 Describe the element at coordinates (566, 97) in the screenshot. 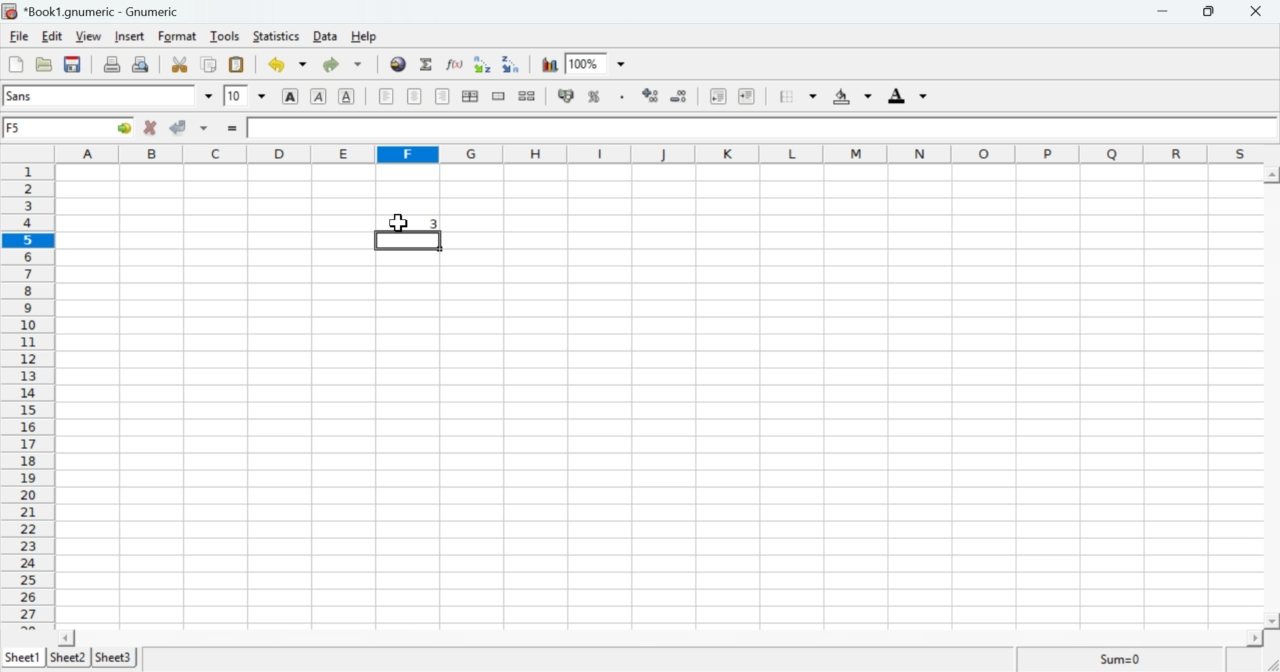

I see `Format the selection as accounting` at that location.